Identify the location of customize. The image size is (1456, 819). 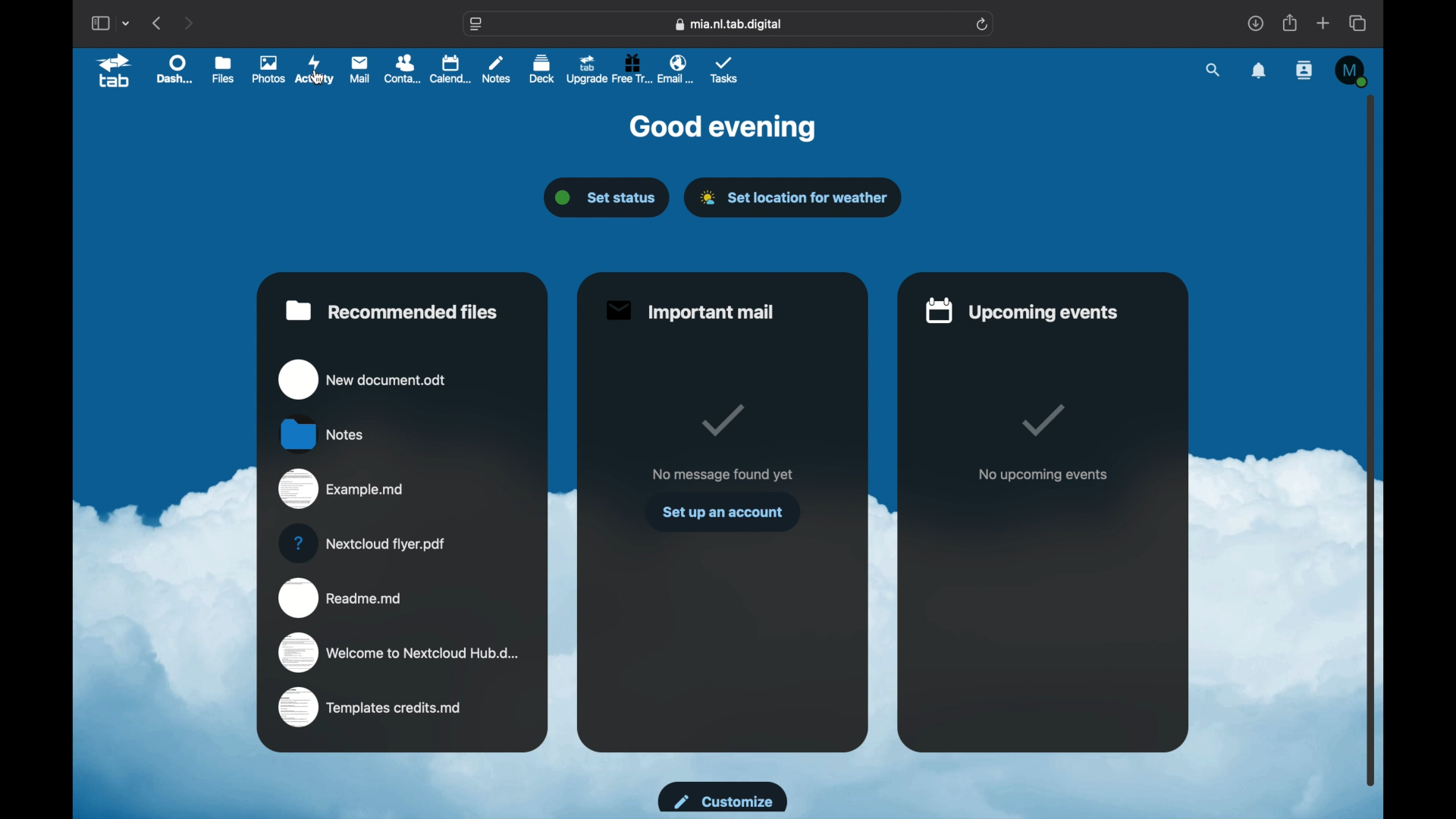
(723, 798).